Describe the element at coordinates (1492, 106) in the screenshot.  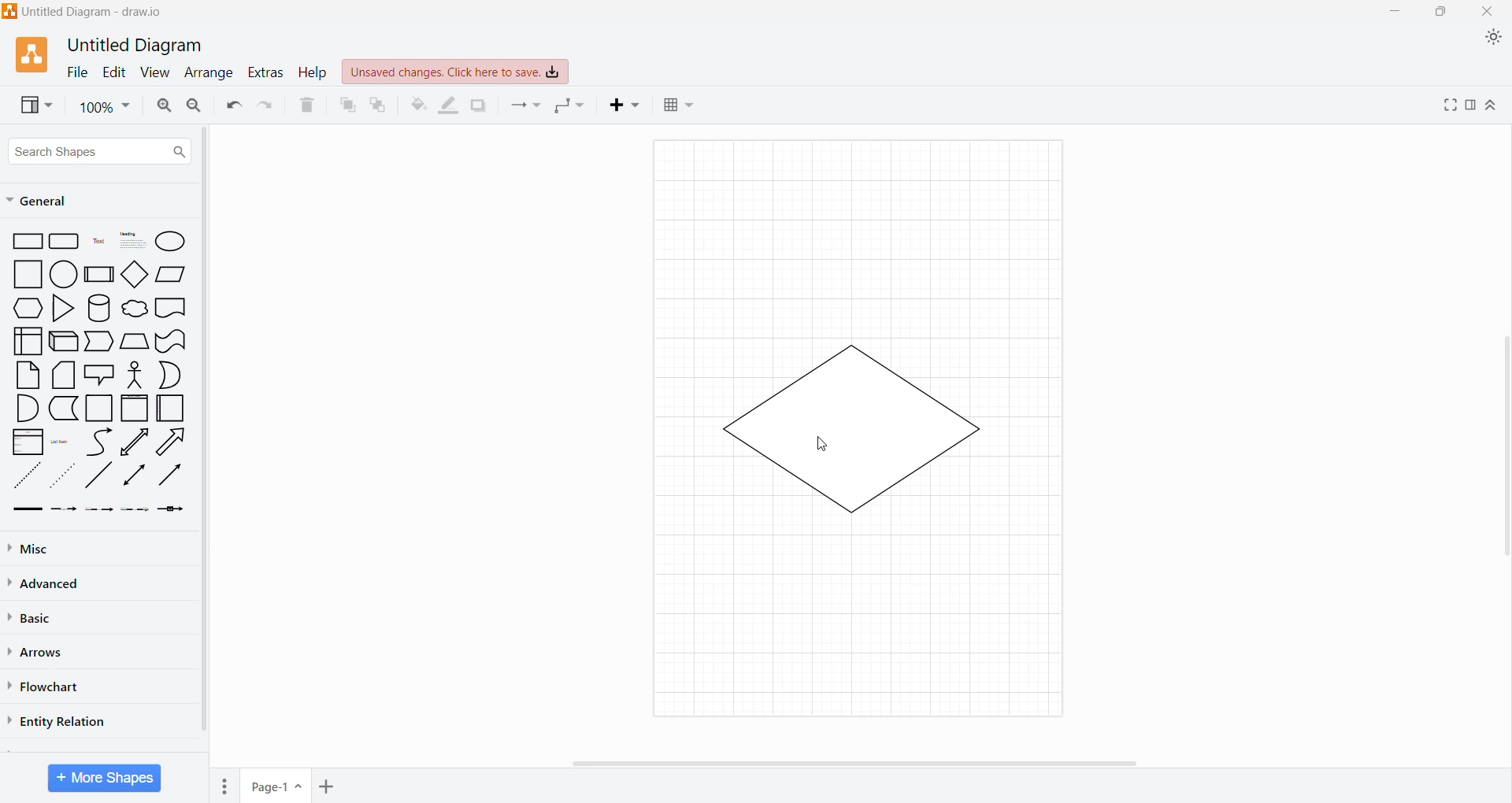
I see `Expand/Collapse` at that location.